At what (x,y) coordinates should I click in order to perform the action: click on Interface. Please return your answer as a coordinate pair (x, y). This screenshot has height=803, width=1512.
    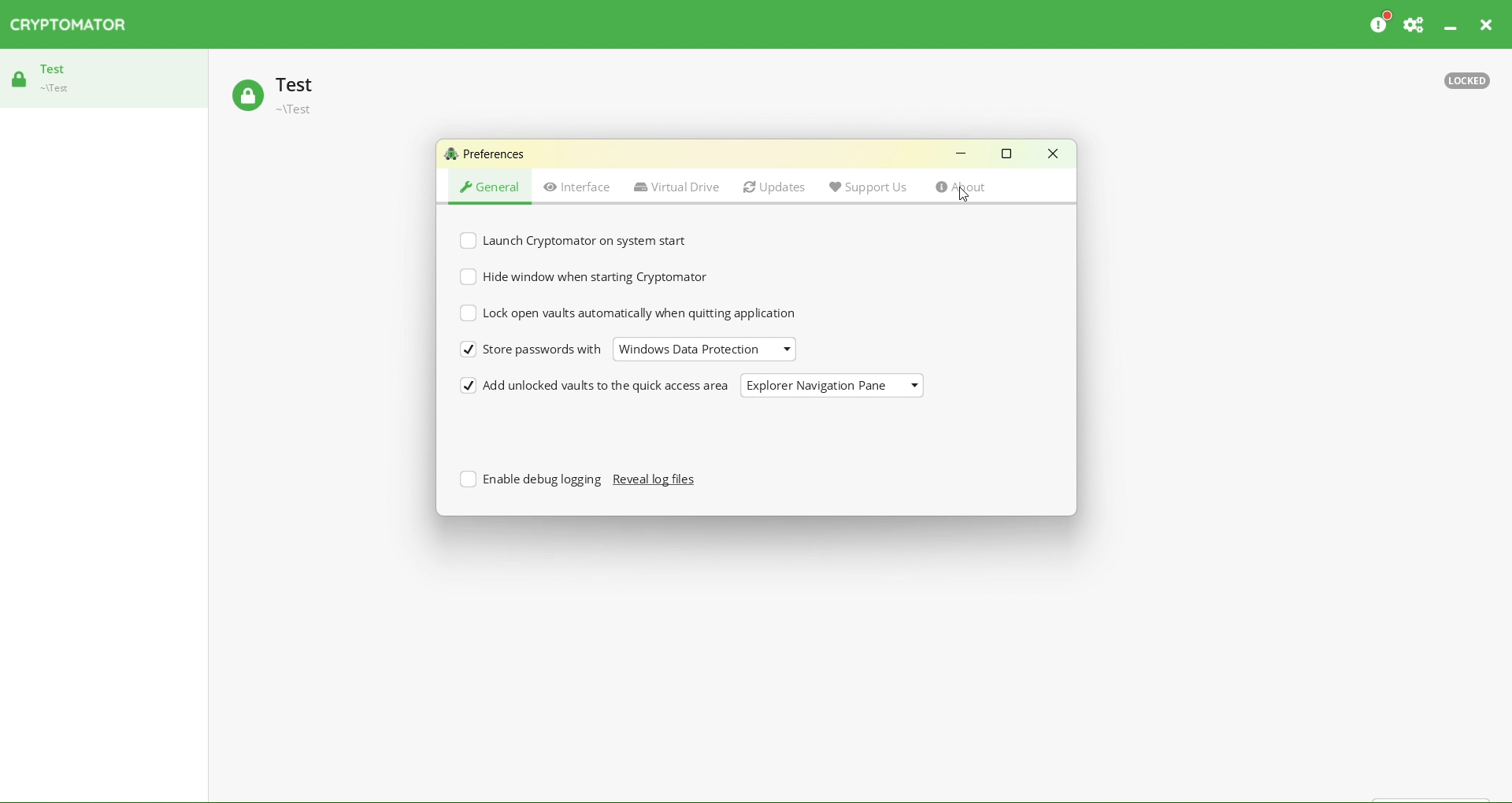
    Looking at the image, I should click on (576, 189).